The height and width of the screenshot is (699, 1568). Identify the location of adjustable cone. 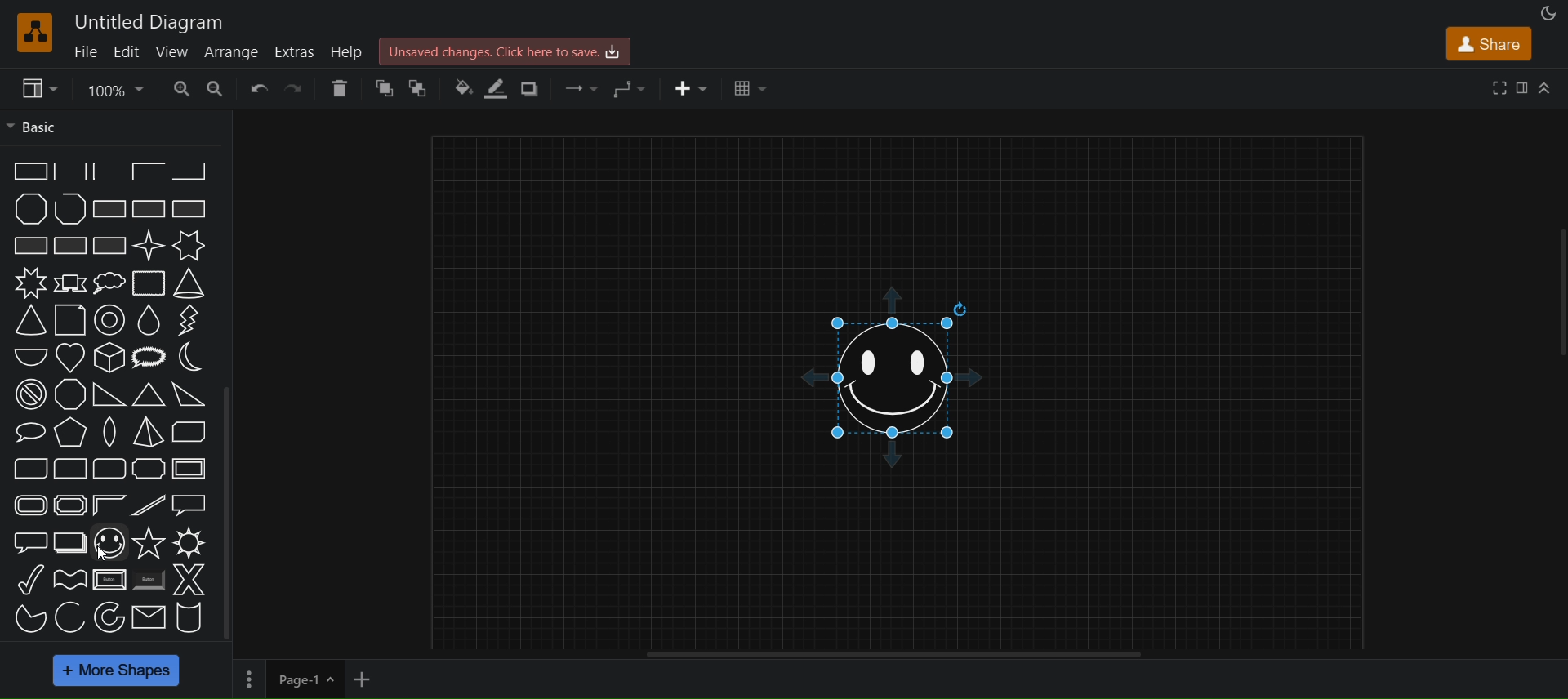
(29, 319).